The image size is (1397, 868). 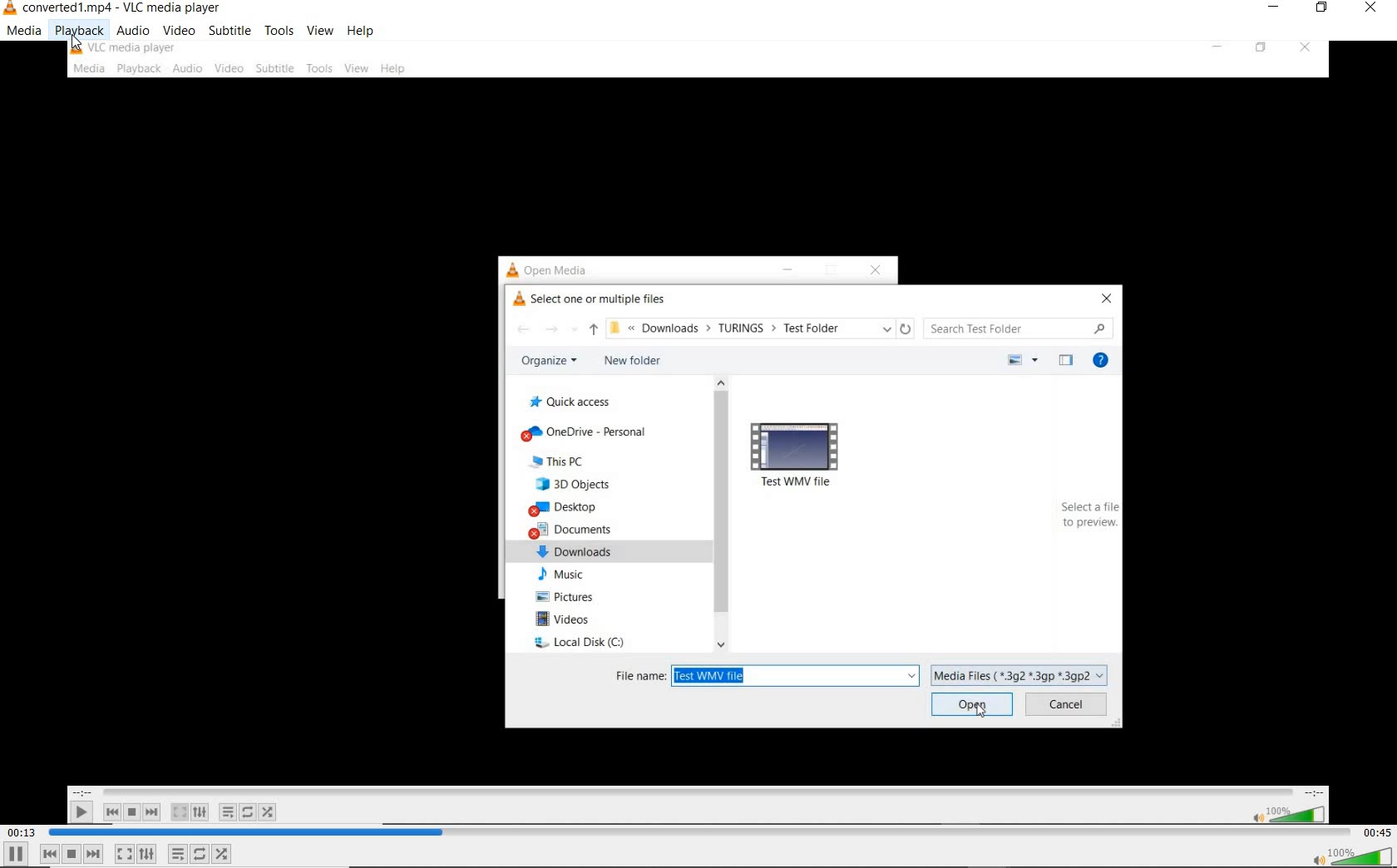 What do you see at coordinates (363, 31) in the screenshot?
I see `help` at bounding box center [363, 31].